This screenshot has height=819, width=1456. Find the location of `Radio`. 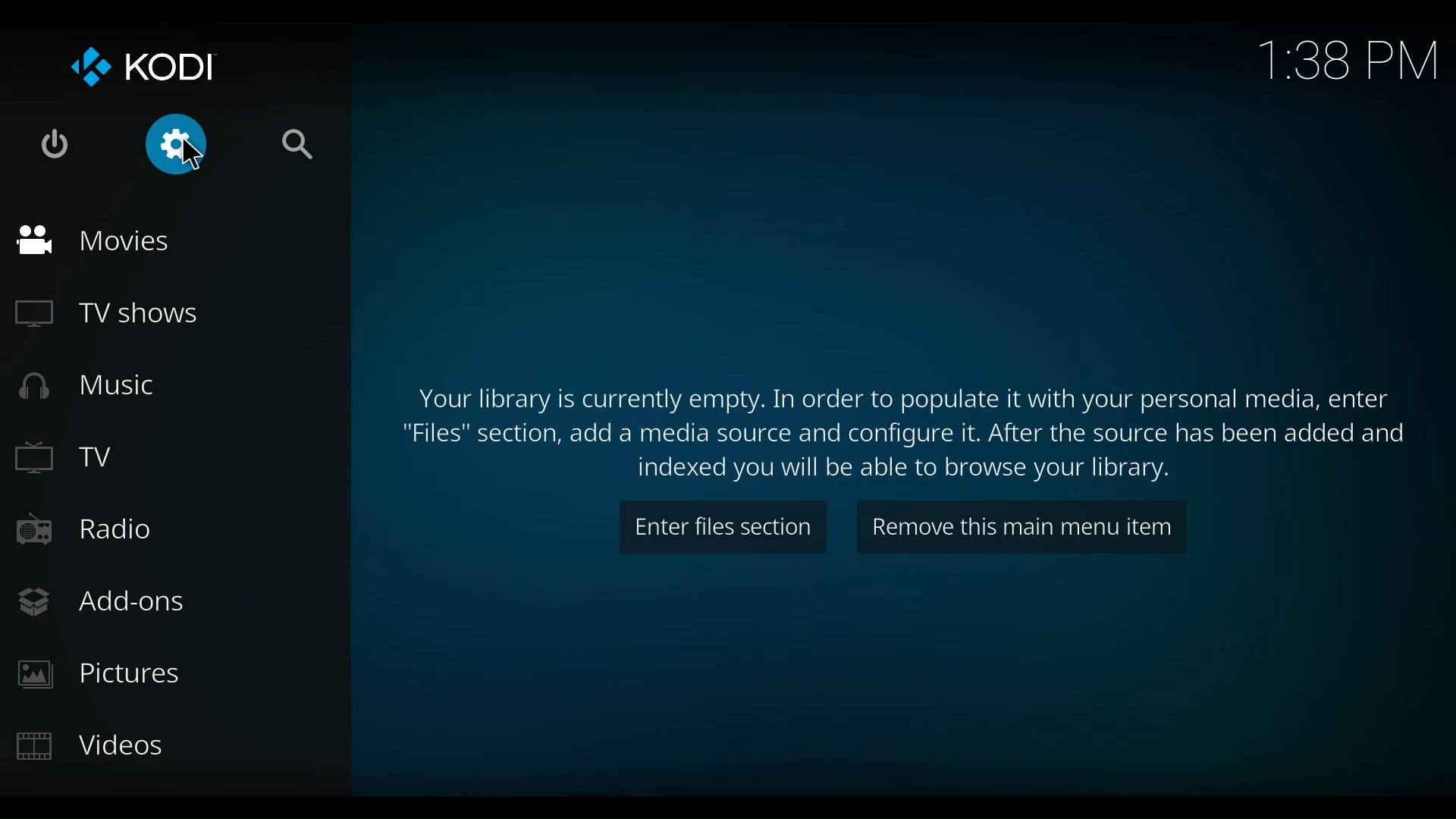

Radio is located at coordinates (86, 529).